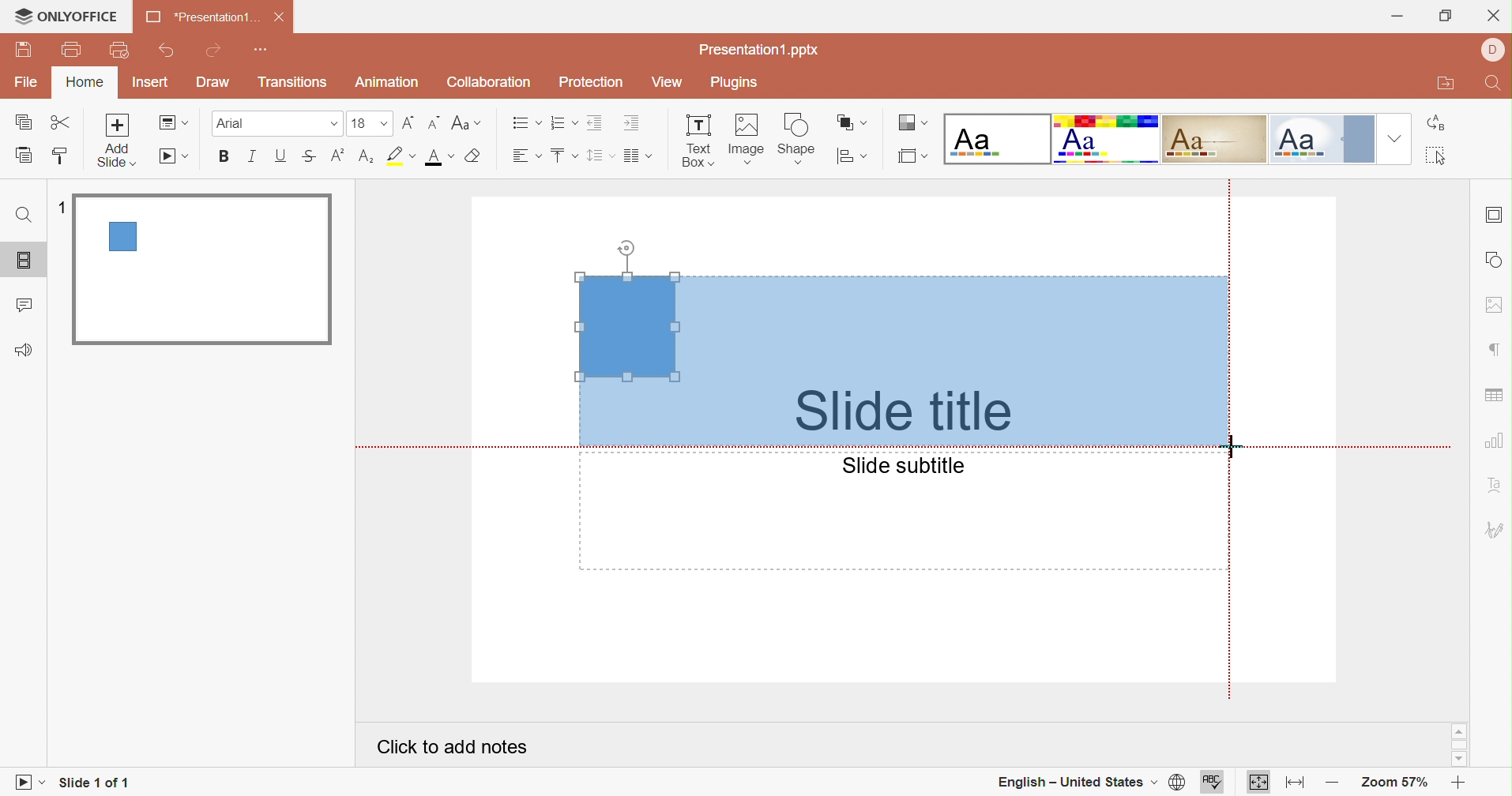 Image resolution: width=1512 pixels, height=796 pixels. Describe the element at coordinates (1495, 531) in the screenshot. I see `Signature settings` at that location.